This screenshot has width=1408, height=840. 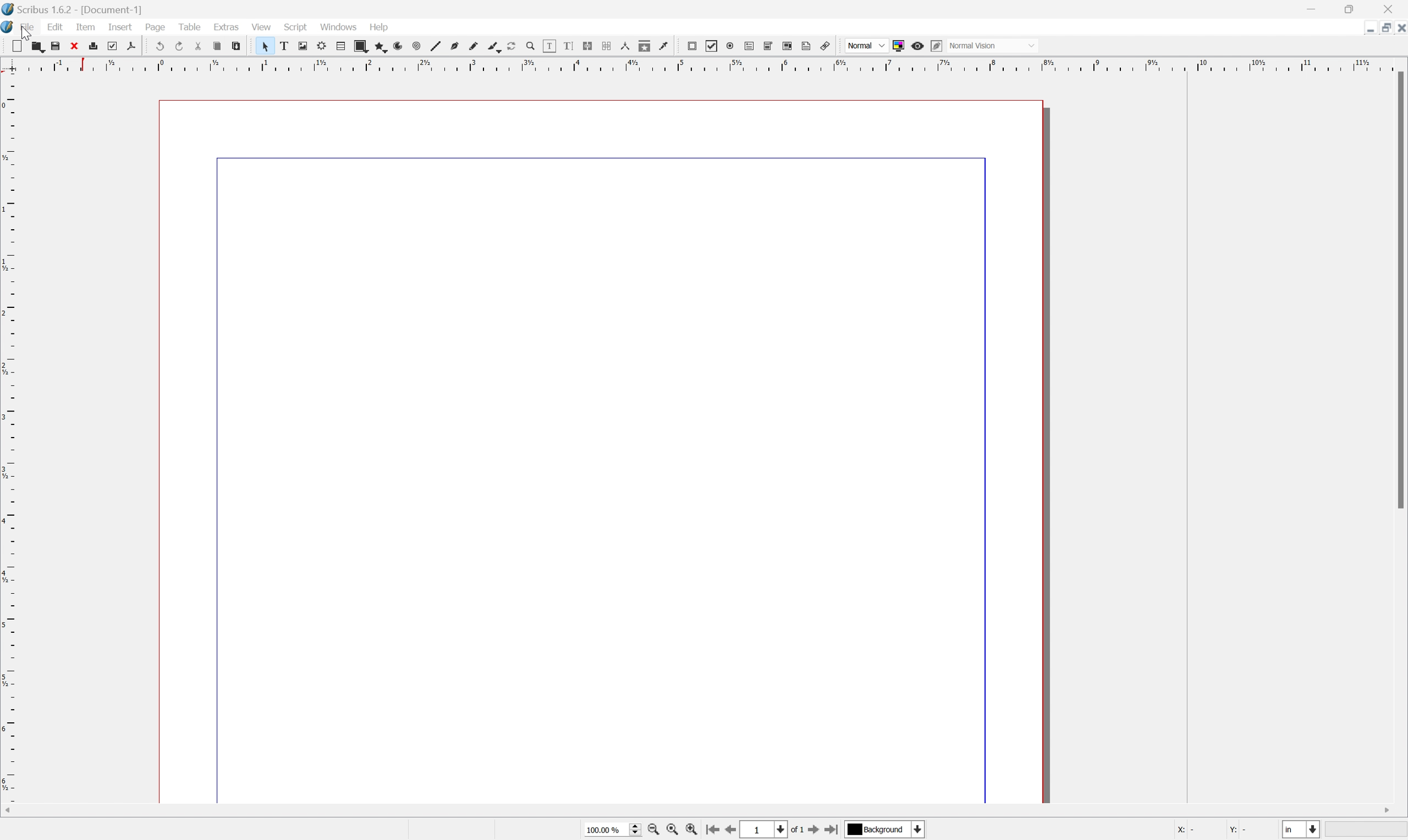 What do you see at coordinates (338, 46) in the screenshot?
I see `Table` at bounding box center [338, 46].